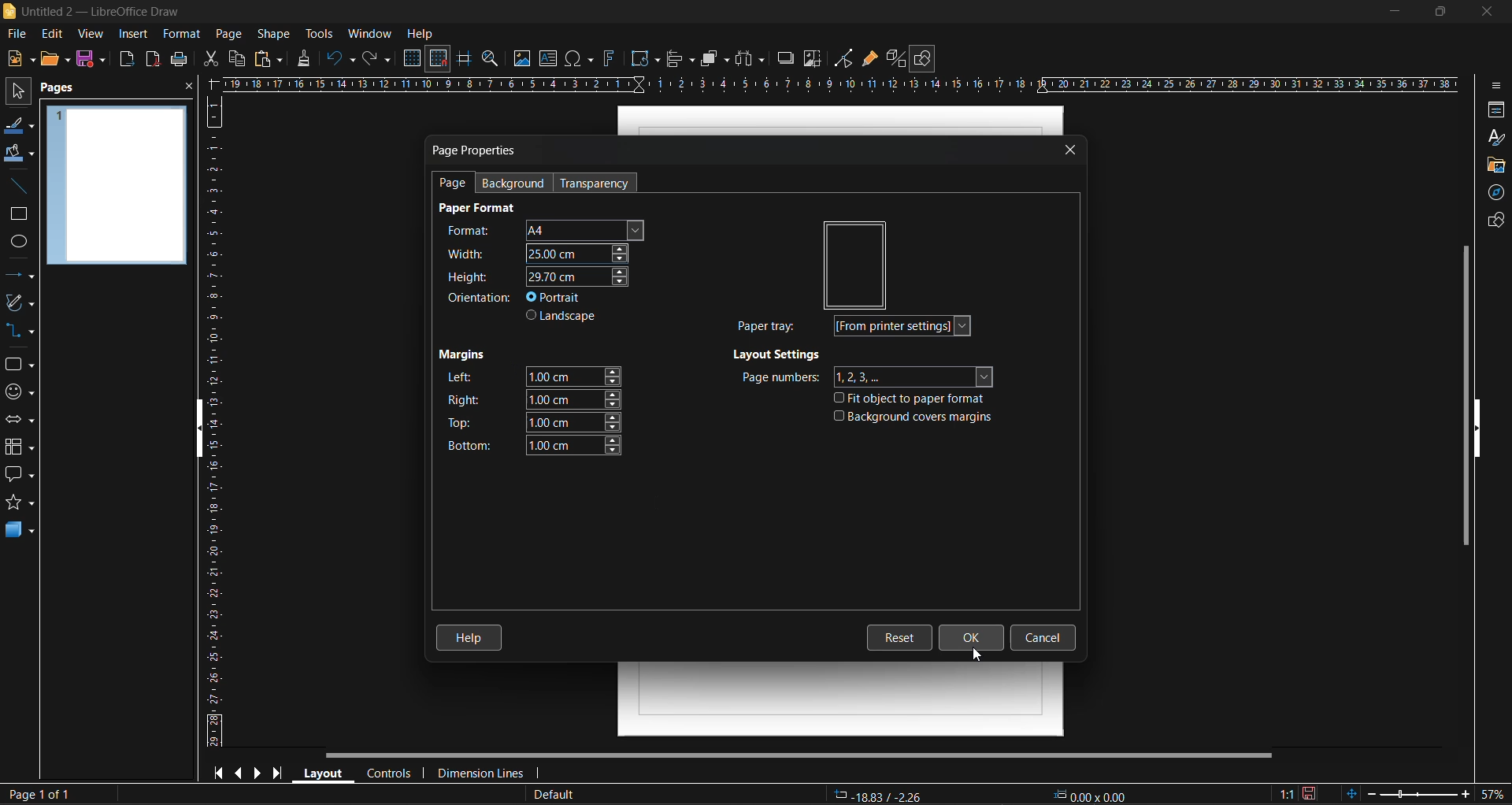 Image resolution: width=1512 pixels, height=805 pixels. What do you see at coordinates (53, 33) in the screenshot?
I see `edit` at bounding box center [53, 33].